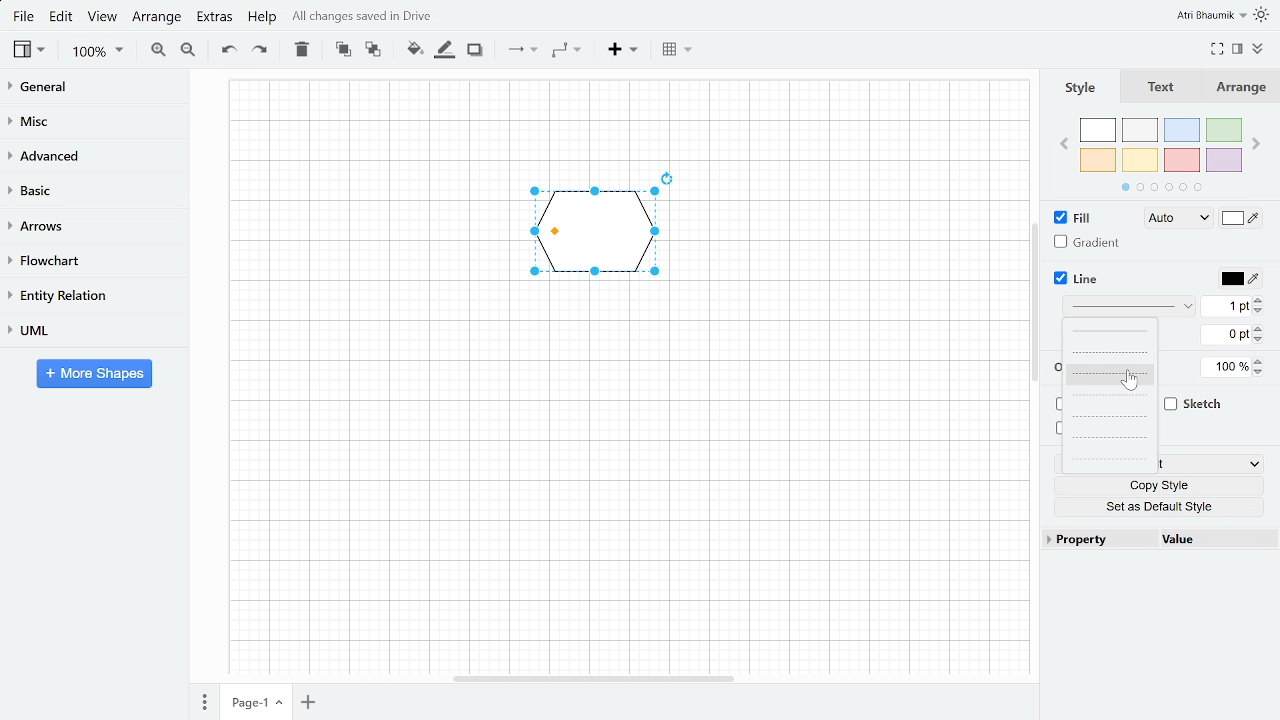 This screenshot has height=720, width=1280. What do you see at coordinates (86, 258) in the screenshot?
I see ` Flow chart` at bounding box center [86, 258].